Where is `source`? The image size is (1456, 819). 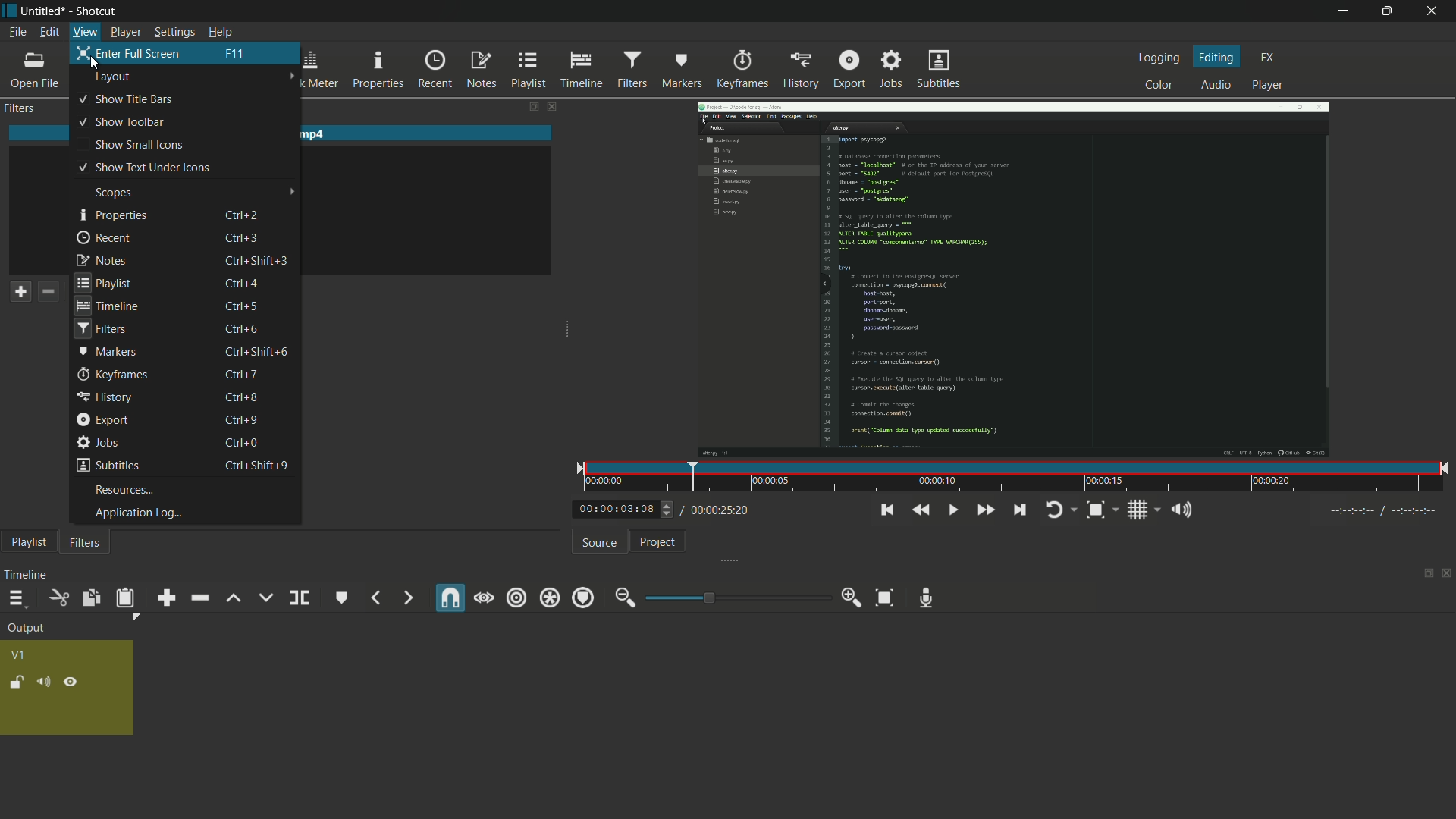
source is located at coordinates (600, 544).